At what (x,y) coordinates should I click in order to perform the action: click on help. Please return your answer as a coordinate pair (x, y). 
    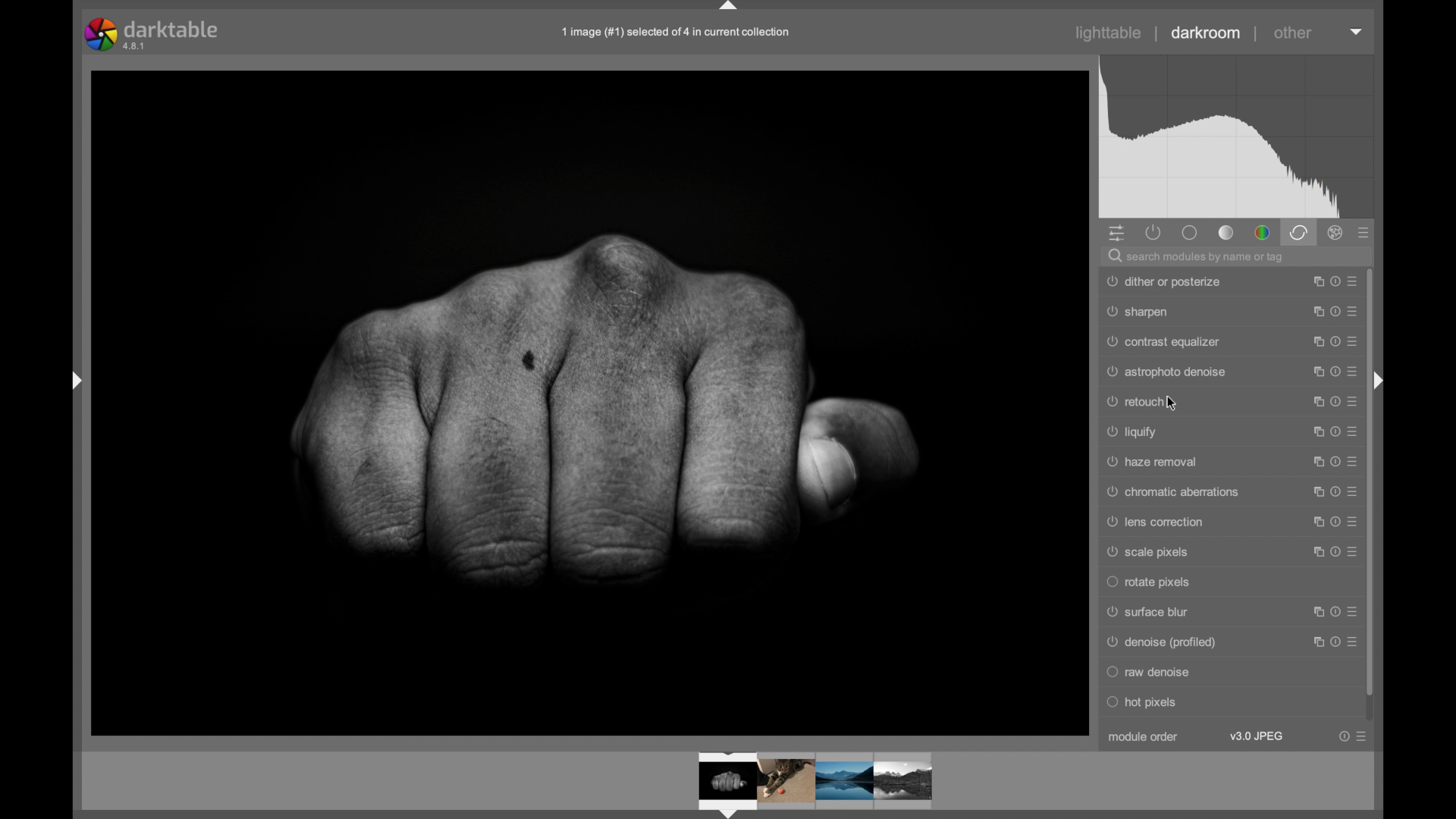
    Looking at the image, I should click on (1331, 312).